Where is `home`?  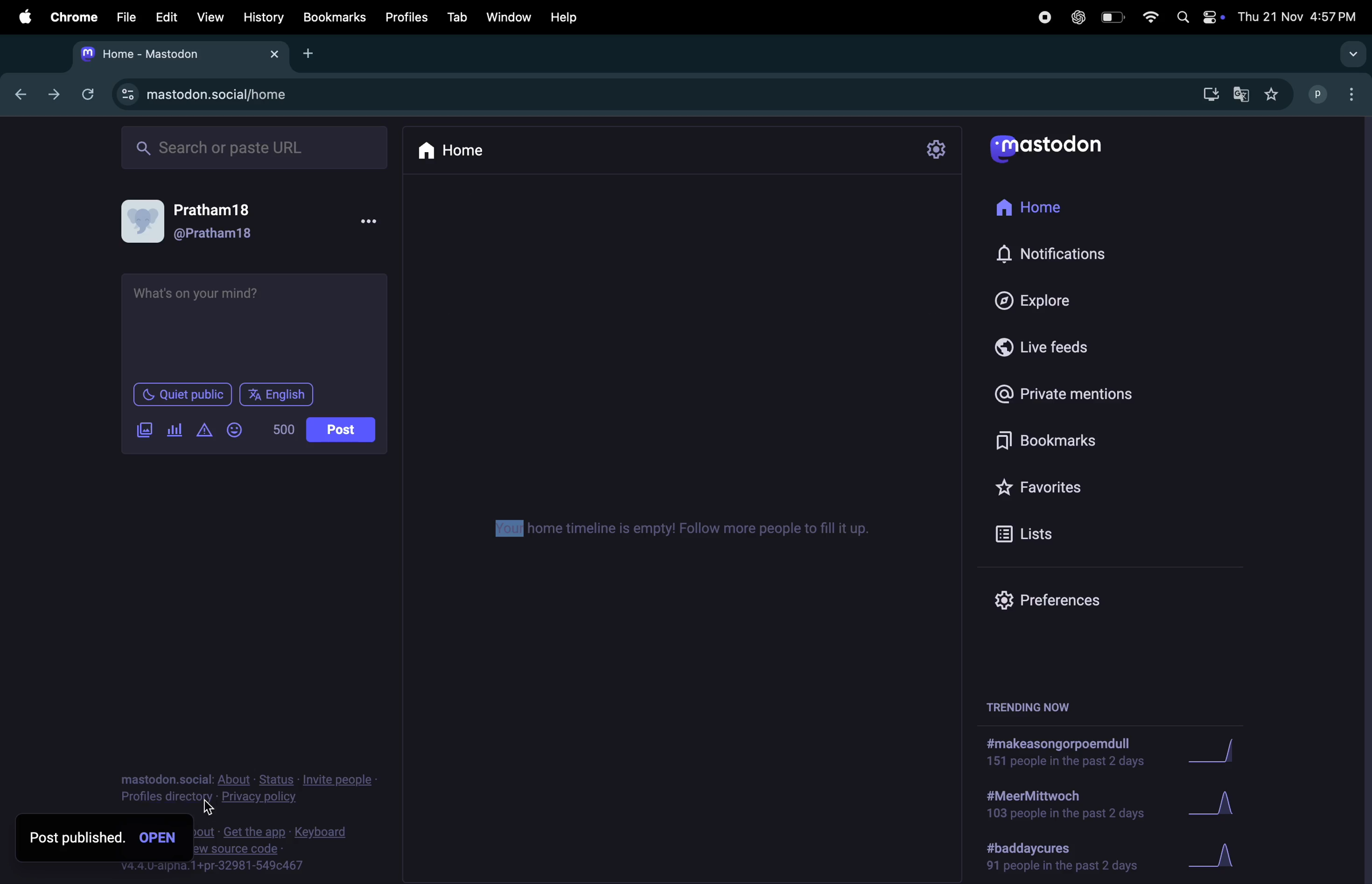
home is located at coordinates (458, 151).